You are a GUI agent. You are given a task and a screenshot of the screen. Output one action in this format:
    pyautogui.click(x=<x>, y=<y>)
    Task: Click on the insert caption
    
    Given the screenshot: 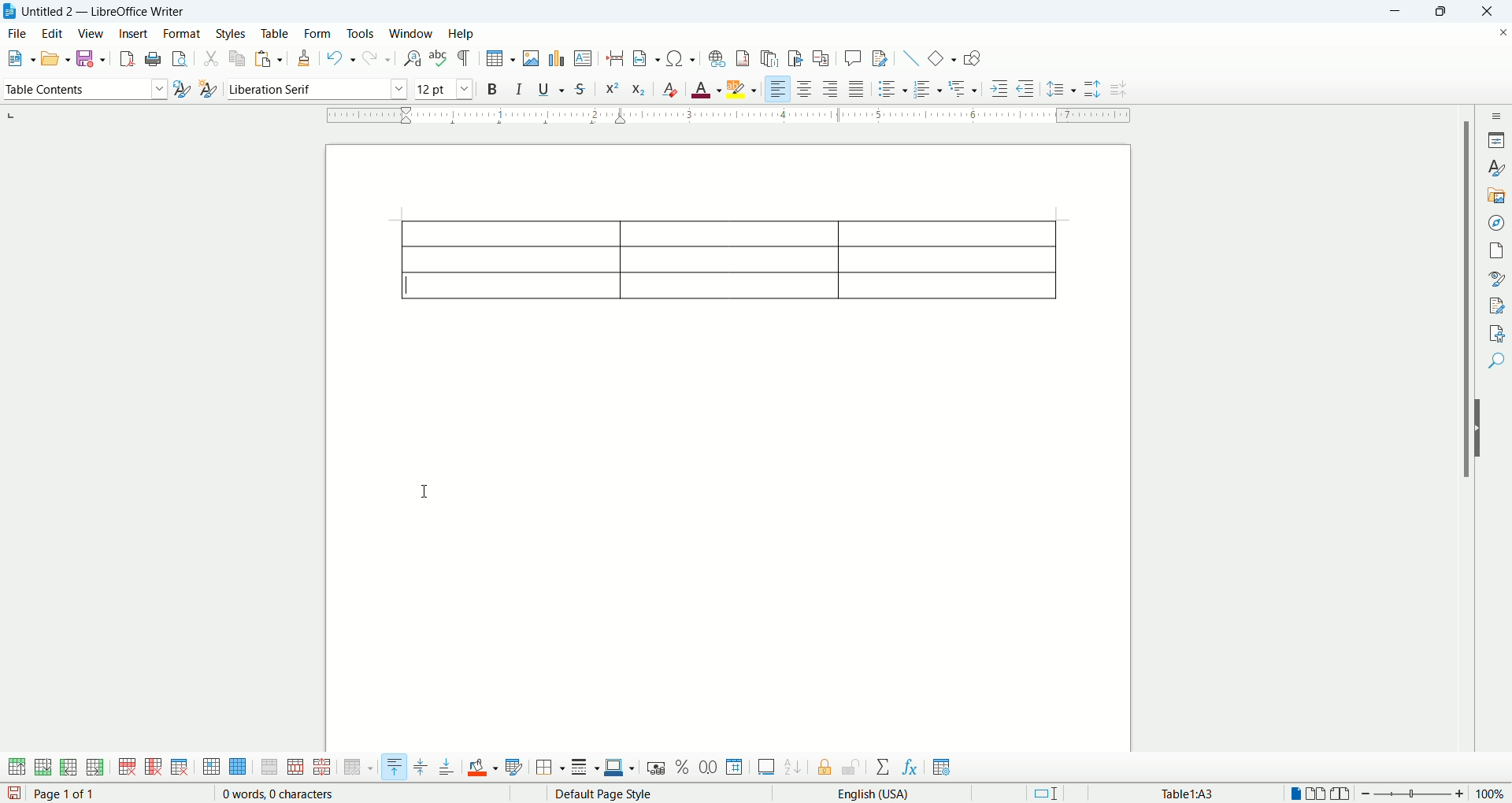 What is the action you would take?
    pyautogui.click(x=767, y=771)
    